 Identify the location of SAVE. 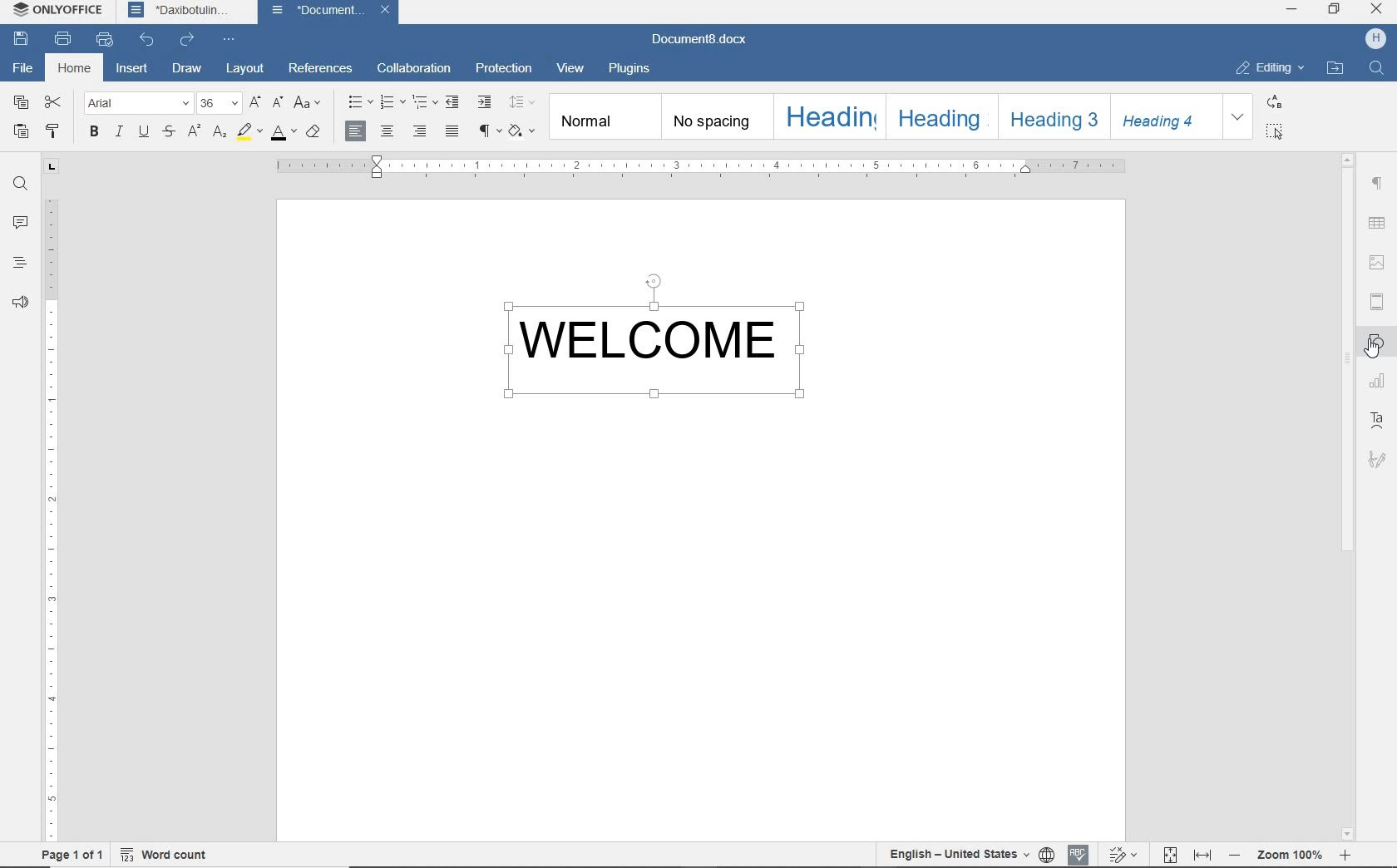
(20, 37).